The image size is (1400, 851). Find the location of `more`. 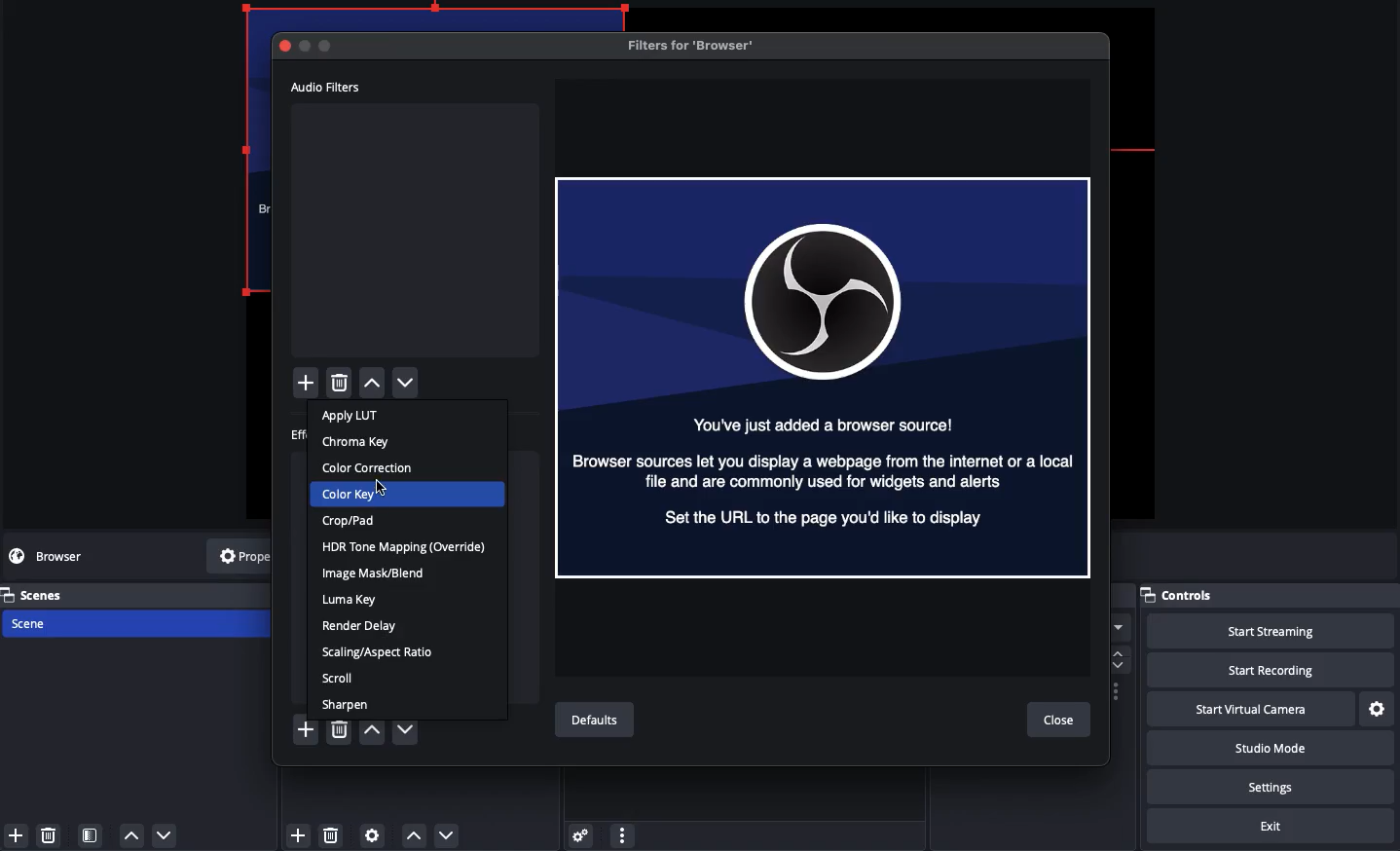

more is located at coordinates (1117, 625).